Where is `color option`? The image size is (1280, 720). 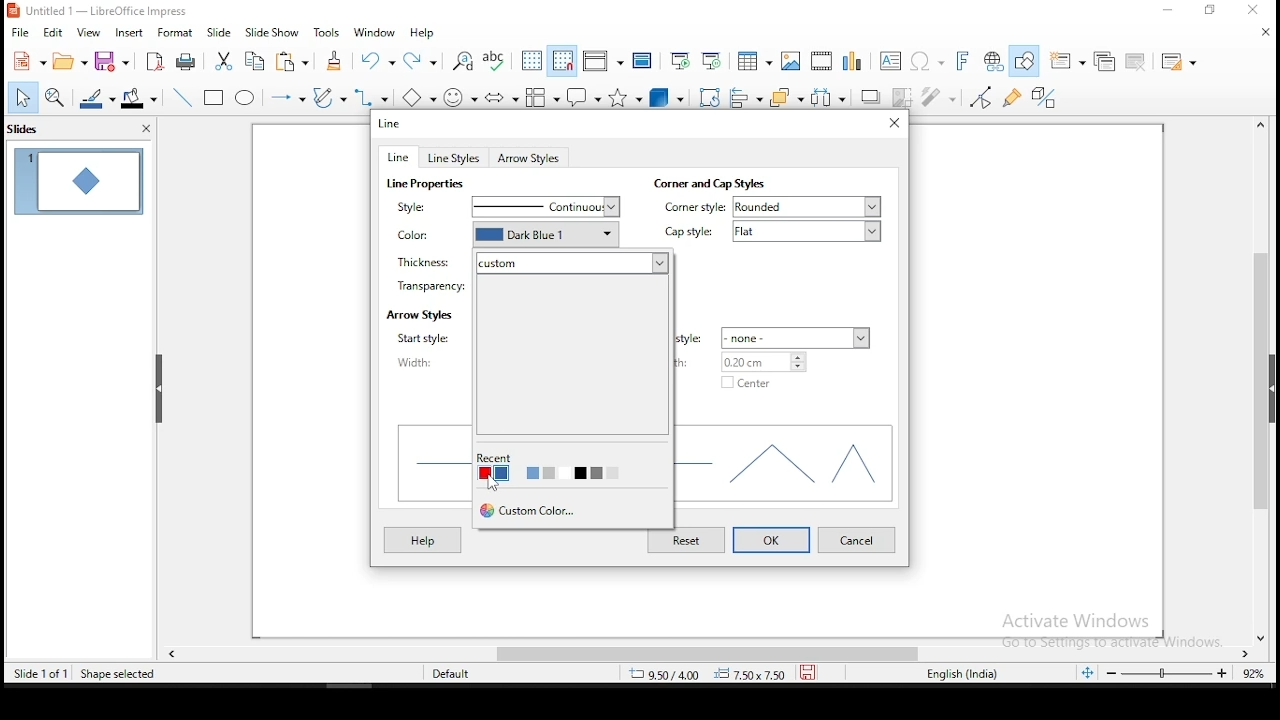
color option is located at coordinates (614, 473).